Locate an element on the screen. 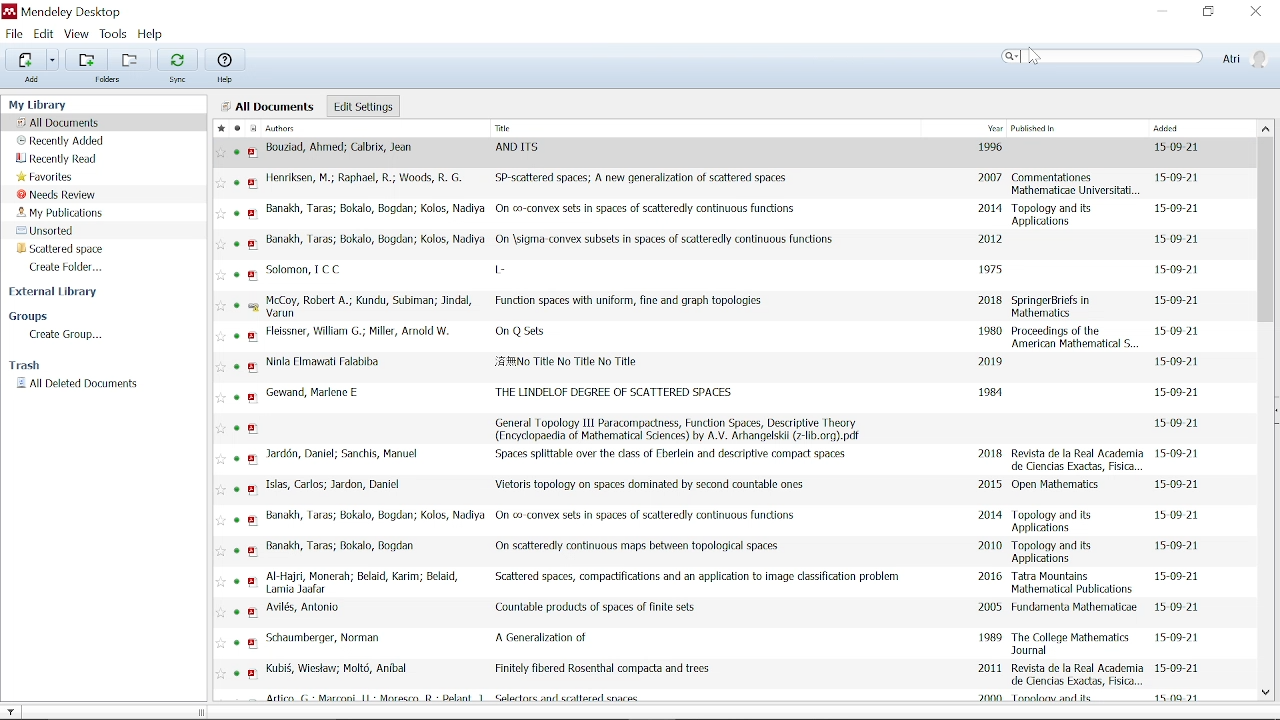 Image resolution: width=1280 pixels, height=720 pixels. Add folder is located at coordinates (87, 58).